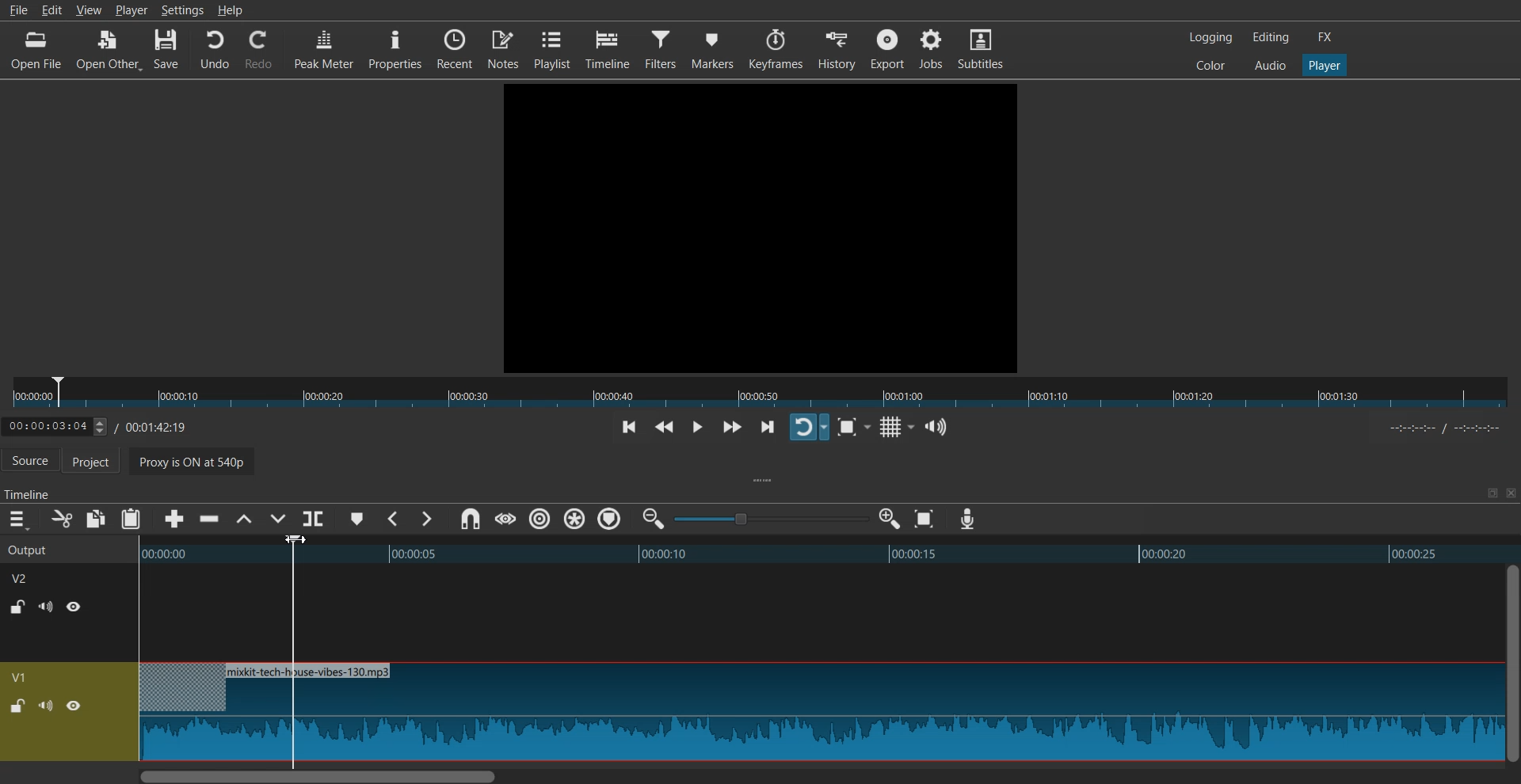  Describe the element at coordinates (505, 519) in the screenshot. I see `Scrub while dragging` at that location.